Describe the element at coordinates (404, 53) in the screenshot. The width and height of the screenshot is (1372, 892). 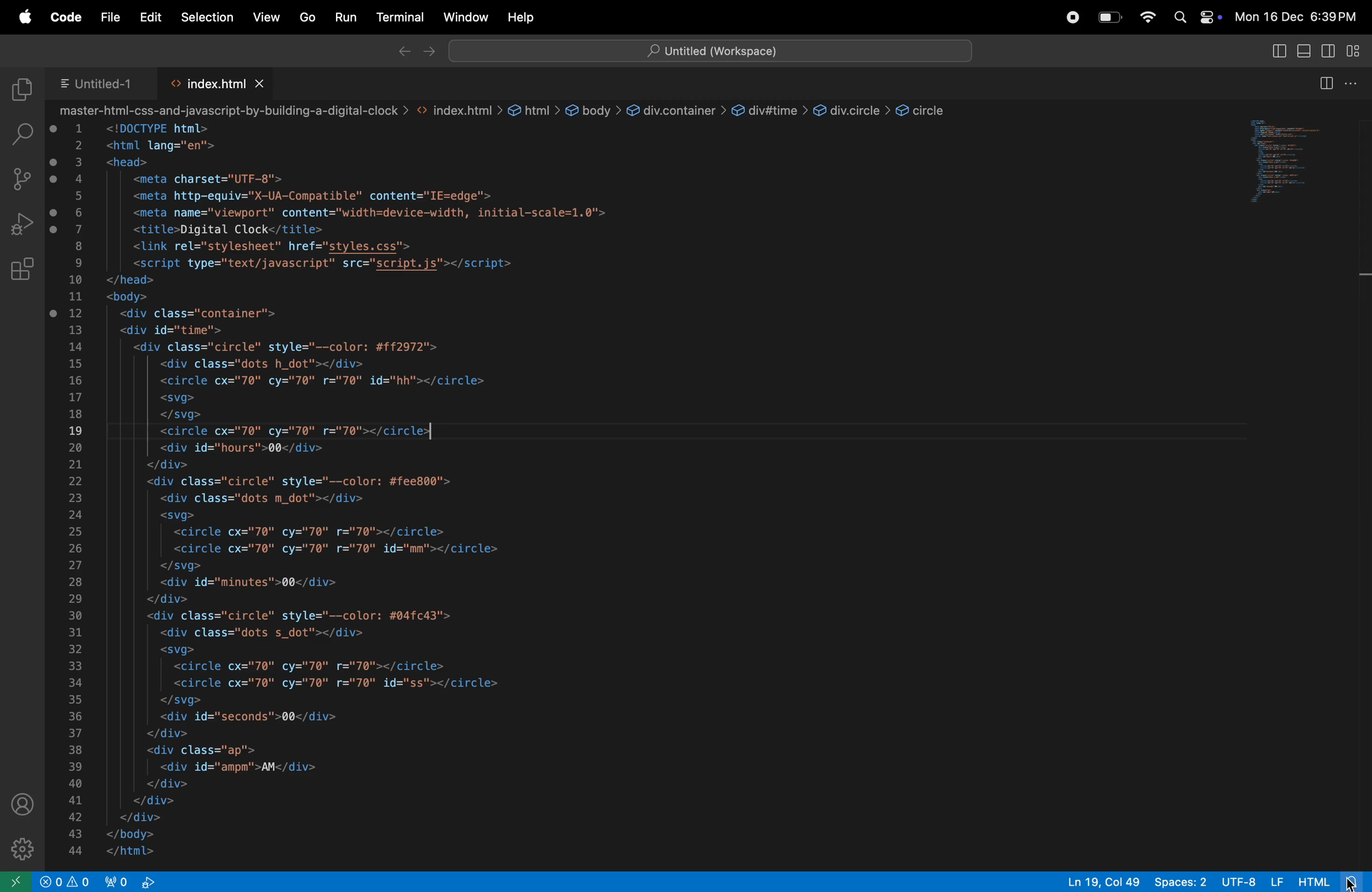
I see `back ward` at that location.